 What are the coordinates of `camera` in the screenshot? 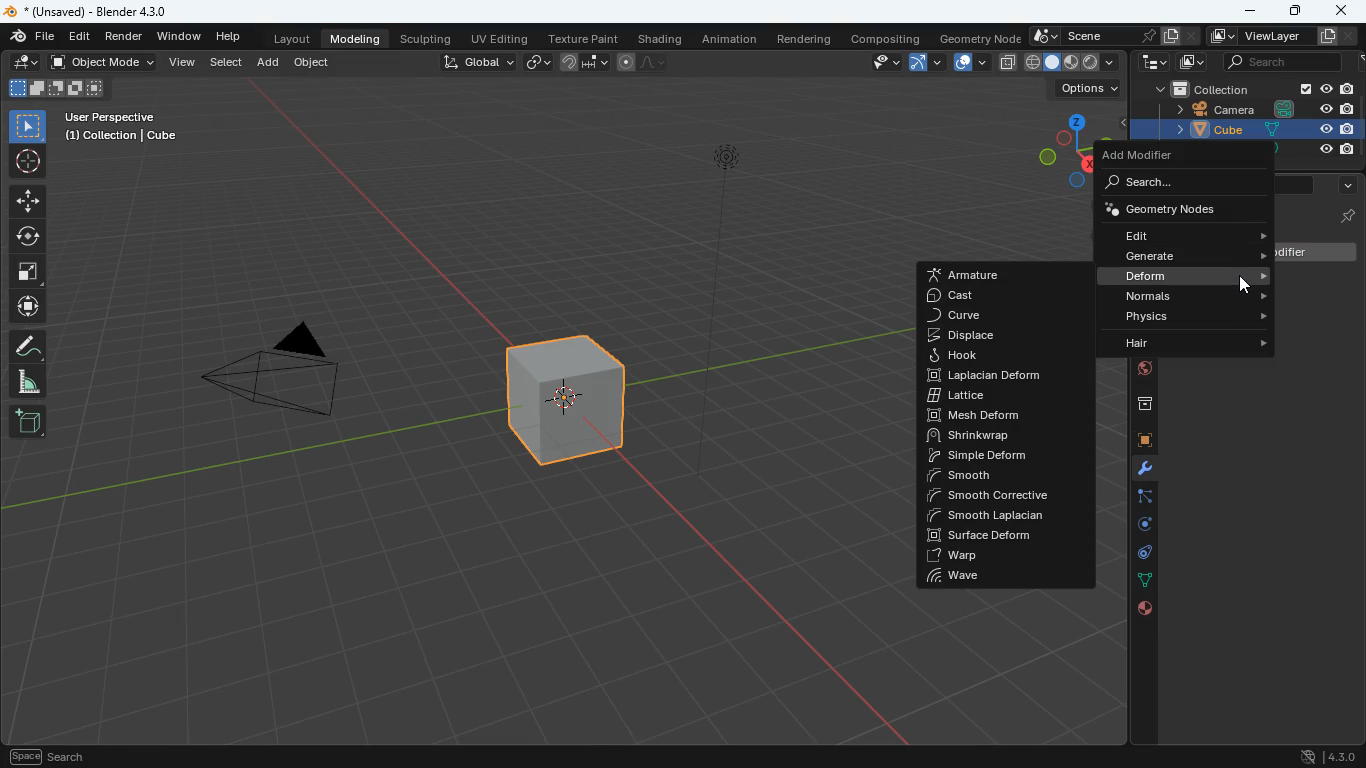 It's located at (283, 374).